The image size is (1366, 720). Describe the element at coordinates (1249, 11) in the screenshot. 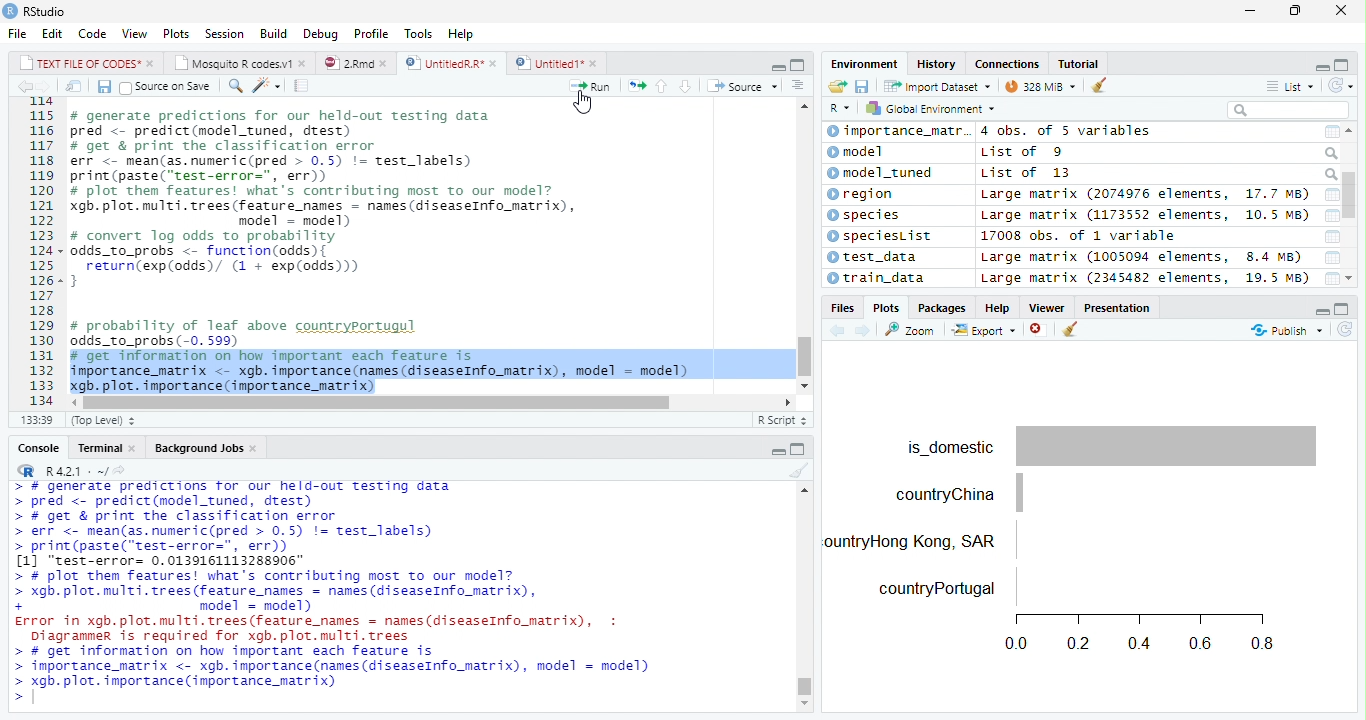

I see `Minimize` at that location.